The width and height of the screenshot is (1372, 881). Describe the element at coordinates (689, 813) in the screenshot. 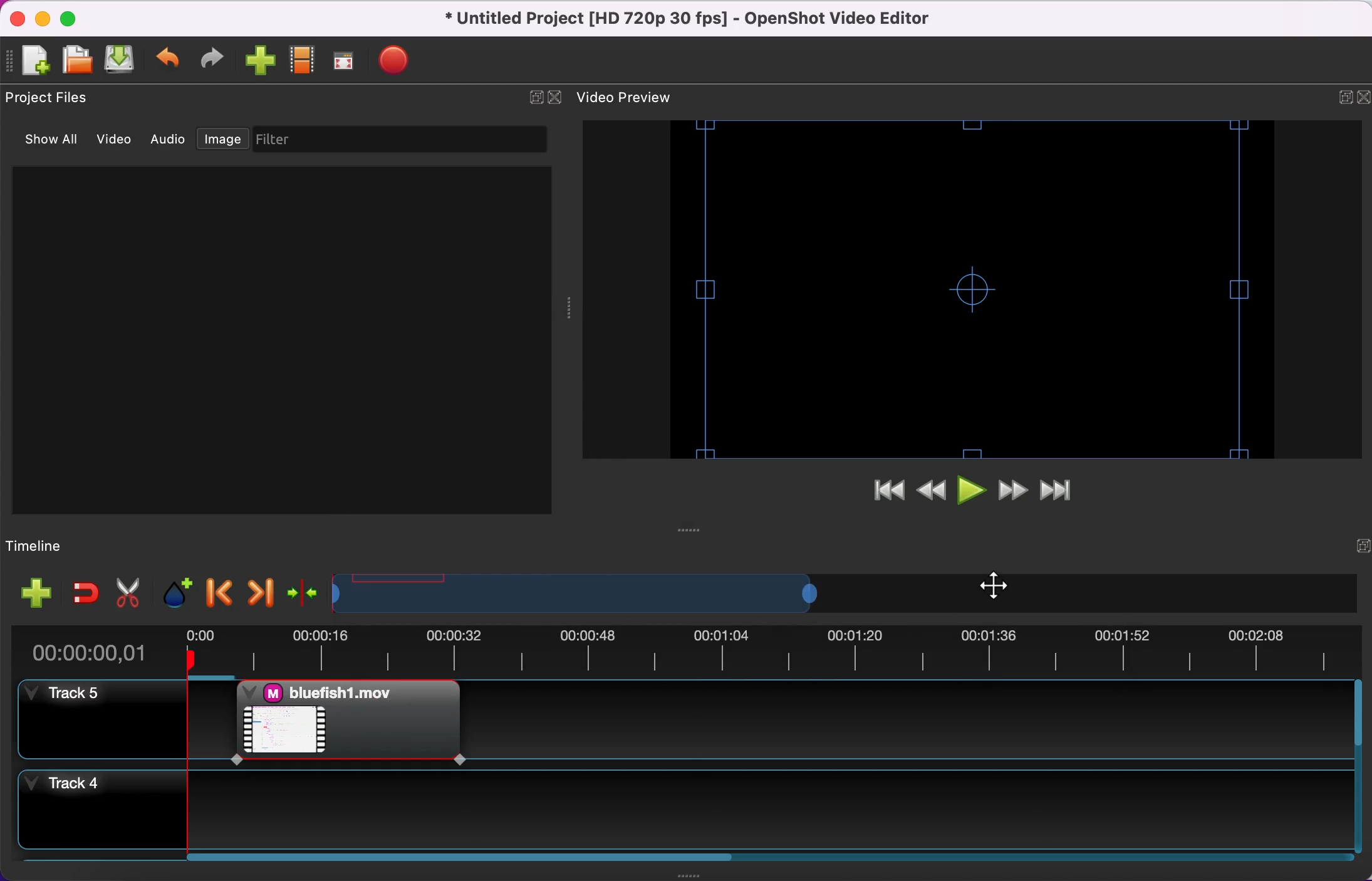

I see `track 4` at that location.